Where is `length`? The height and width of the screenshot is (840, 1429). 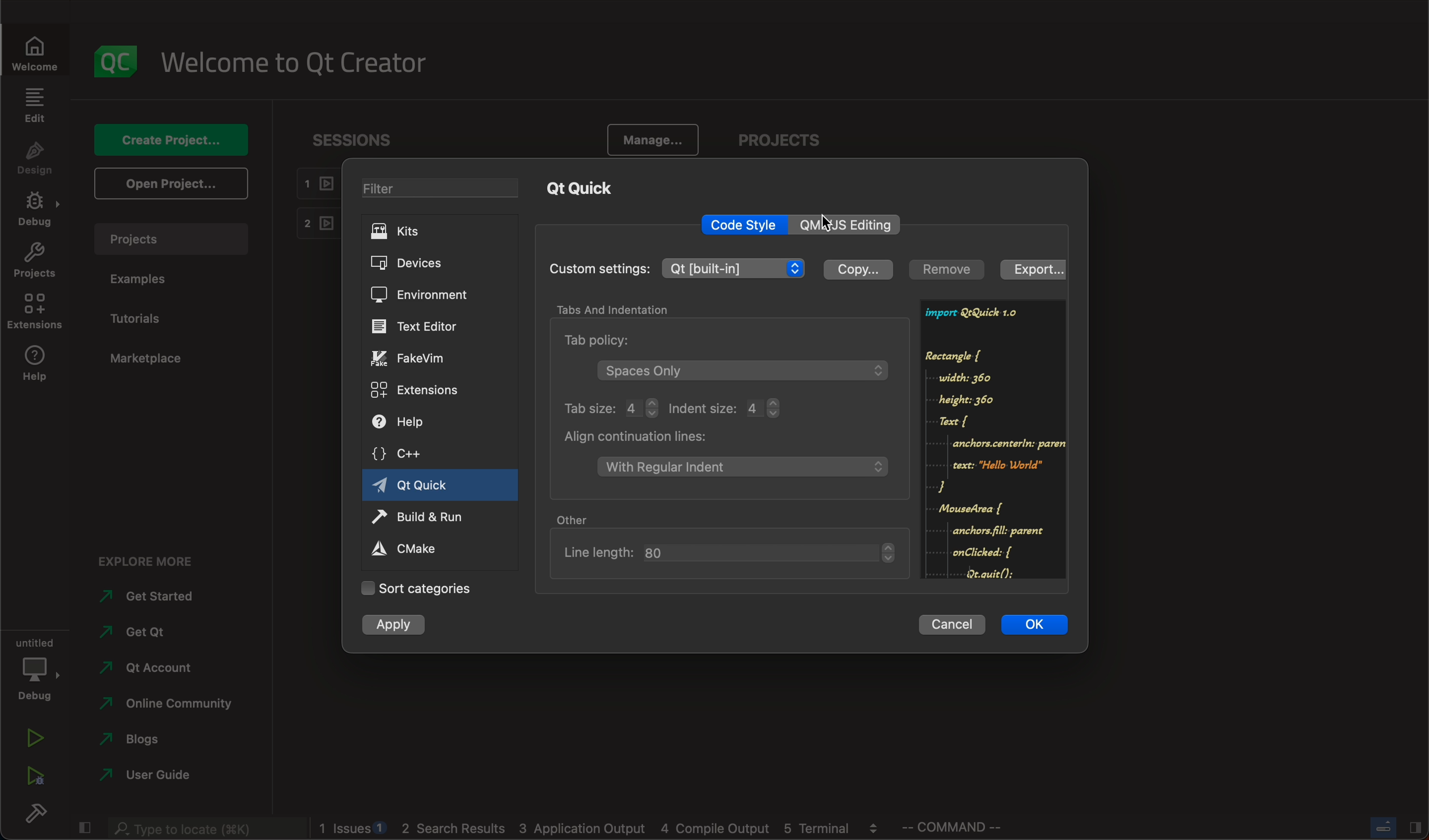
length is located at coordinates (733, 550).